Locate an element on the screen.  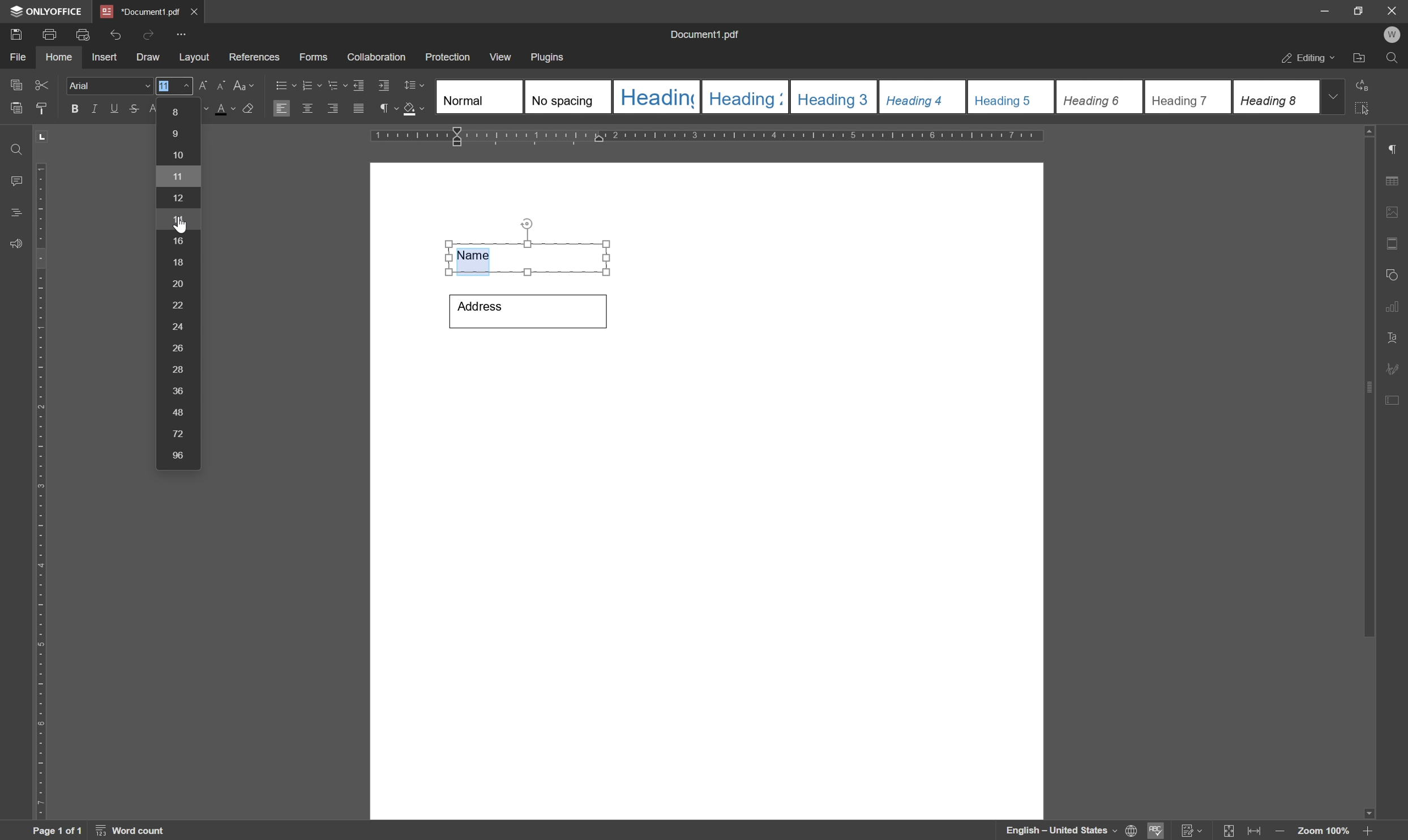
layout is located at coordinates (194, 58).